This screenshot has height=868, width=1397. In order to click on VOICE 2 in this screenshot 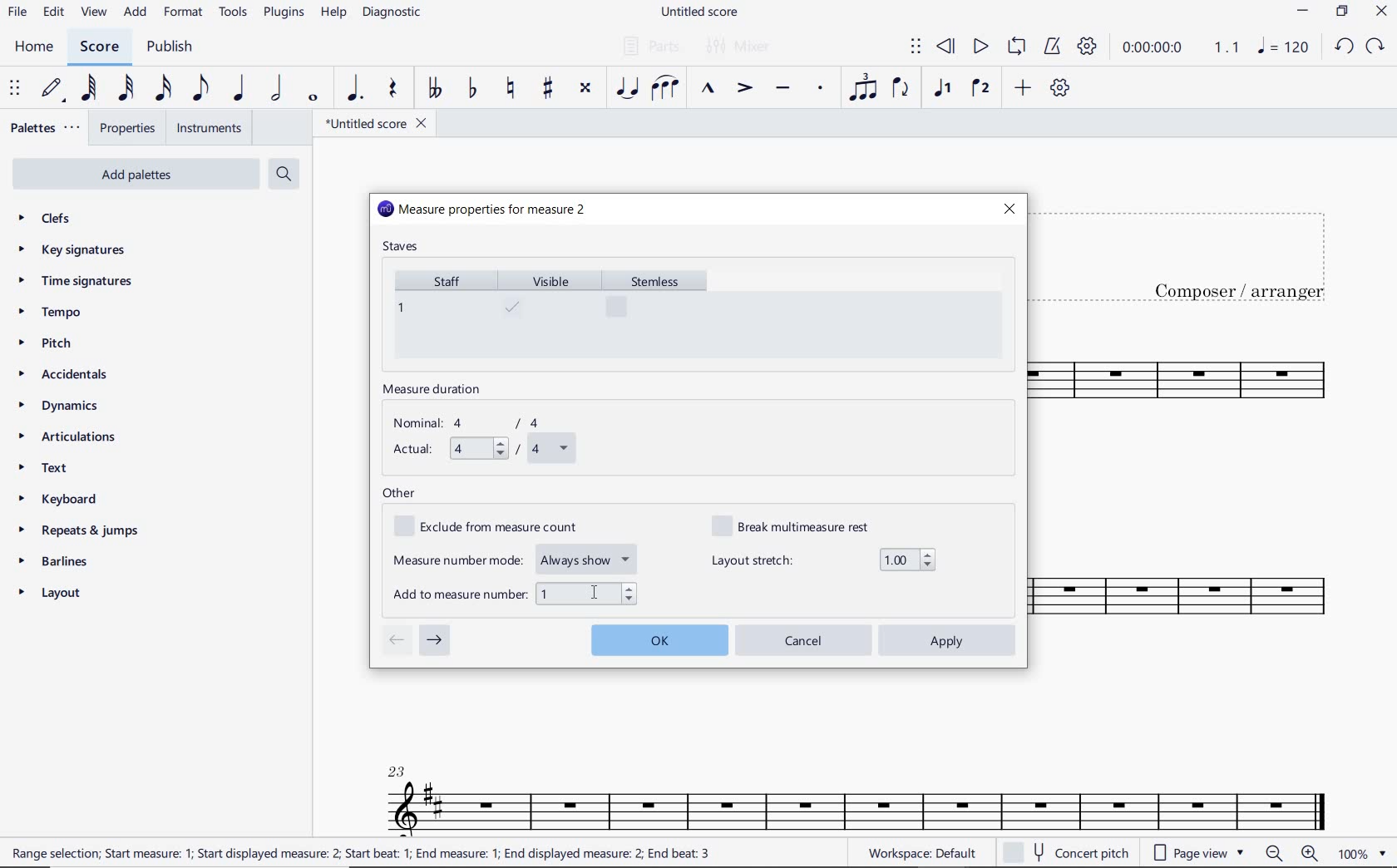, I will do `click(981, 89)`.